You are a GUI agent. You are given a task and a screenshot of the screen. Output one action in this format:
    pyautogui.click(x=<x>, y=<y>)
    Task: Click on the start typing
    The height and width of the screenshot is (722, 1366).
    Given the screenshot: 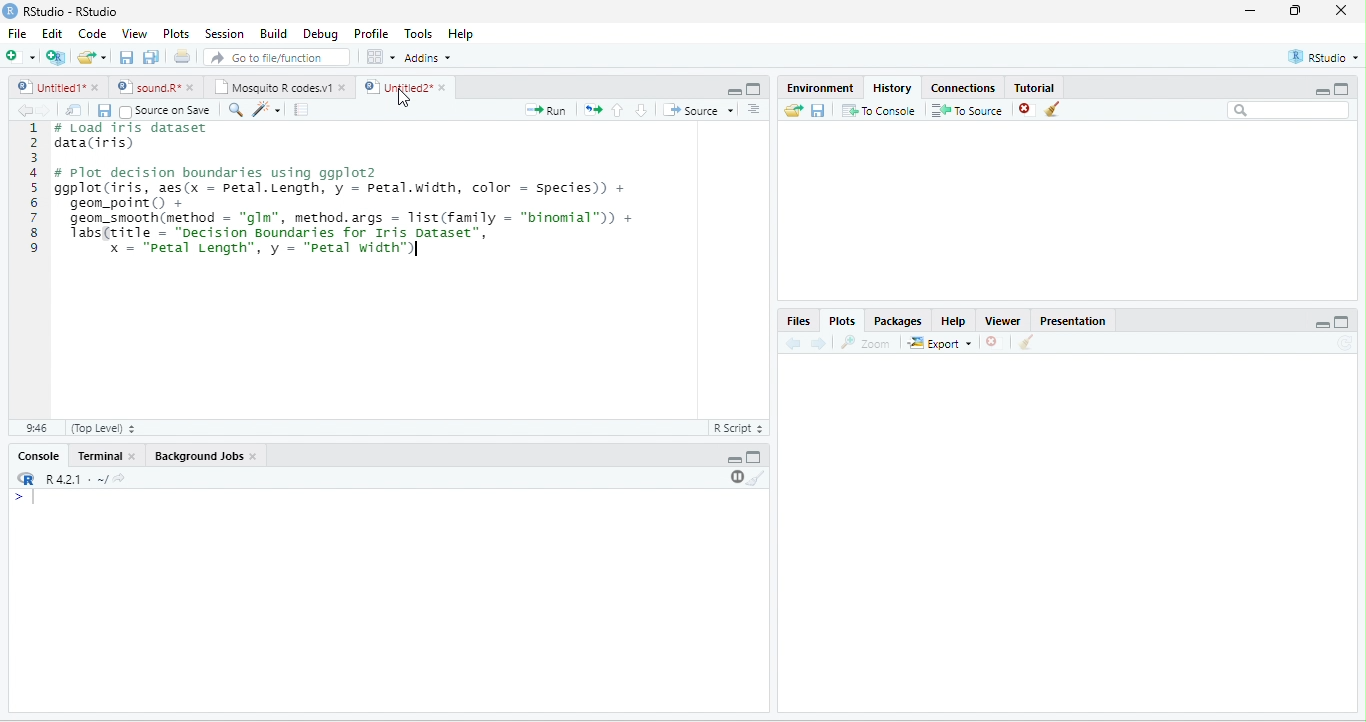 What is the action you would take?
    pyautogui.click(x=28, y=498)
    